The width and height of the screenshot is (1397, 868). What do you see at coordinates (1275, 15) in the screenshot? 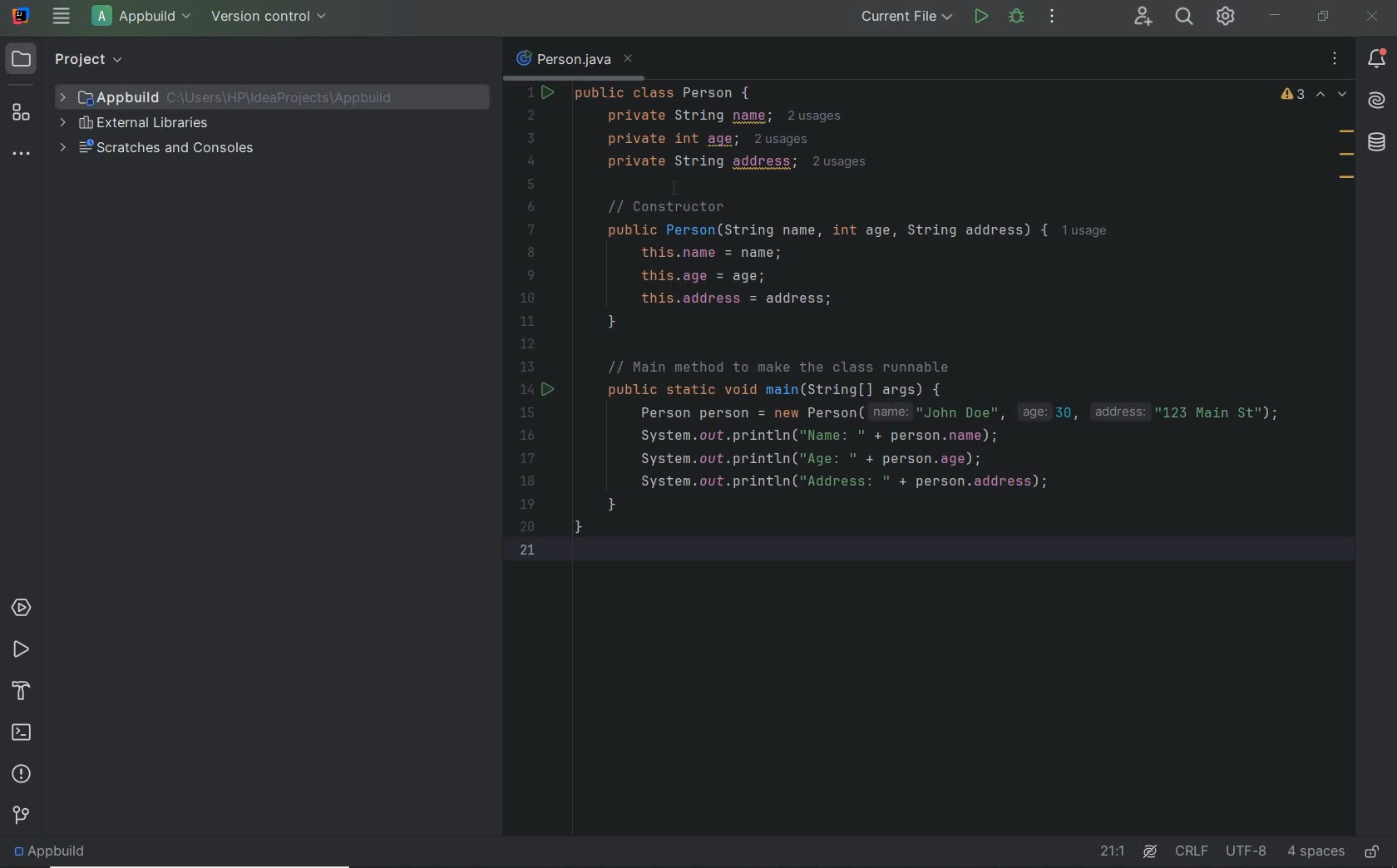
I see `minimize` at bounding box center [1275, 15].